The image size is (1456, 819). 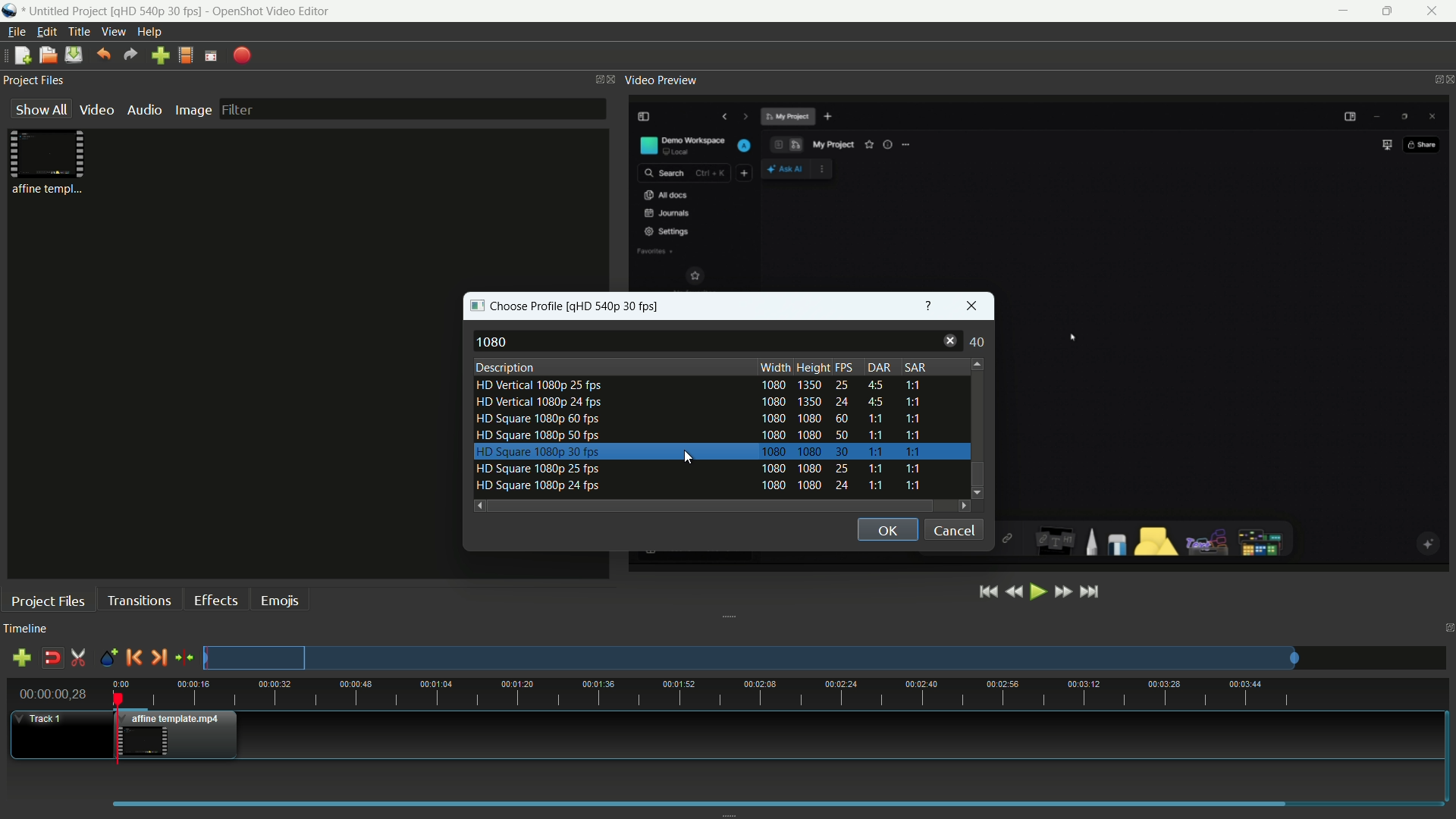 What do you see at coordinates (412, 108) in the screenshot?
I see `filter bar` at bounding box center [412, 108].